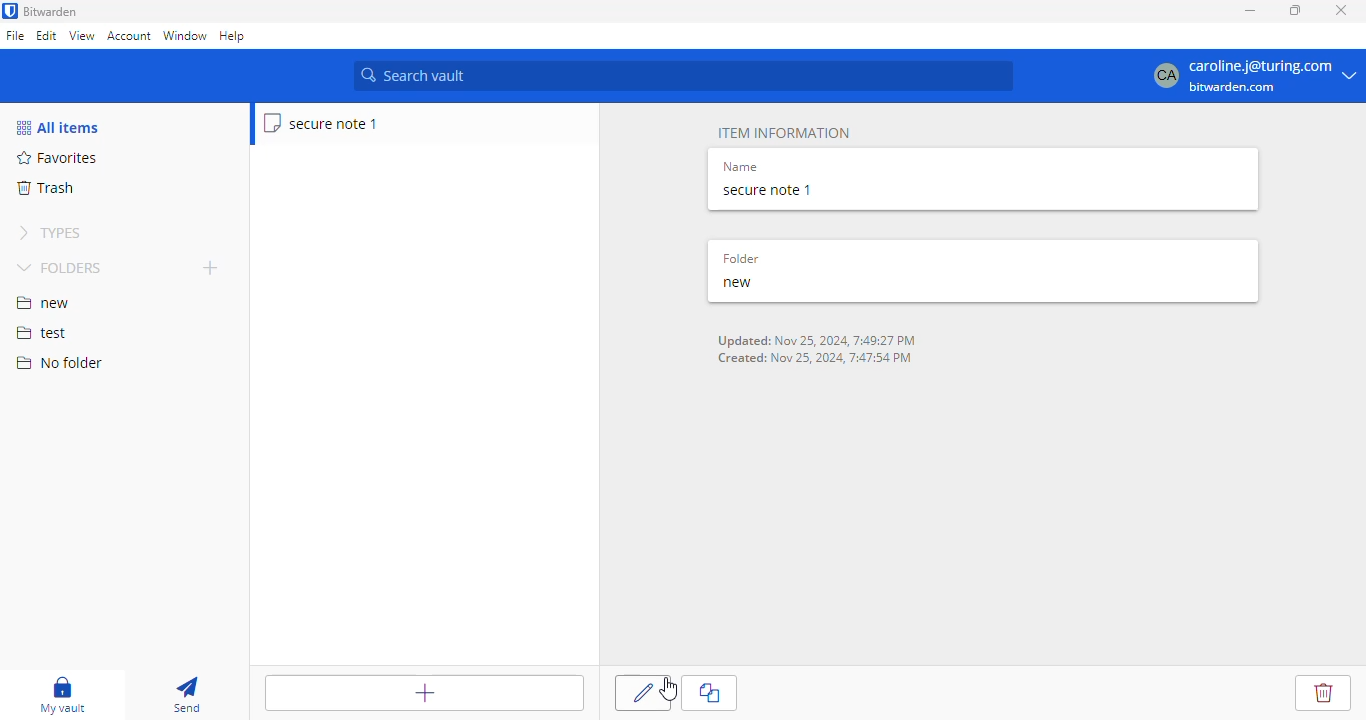  What do you see at coordinates (668, 690) in the screenshot?
I see `cursor` at bounding box center [668, 690].